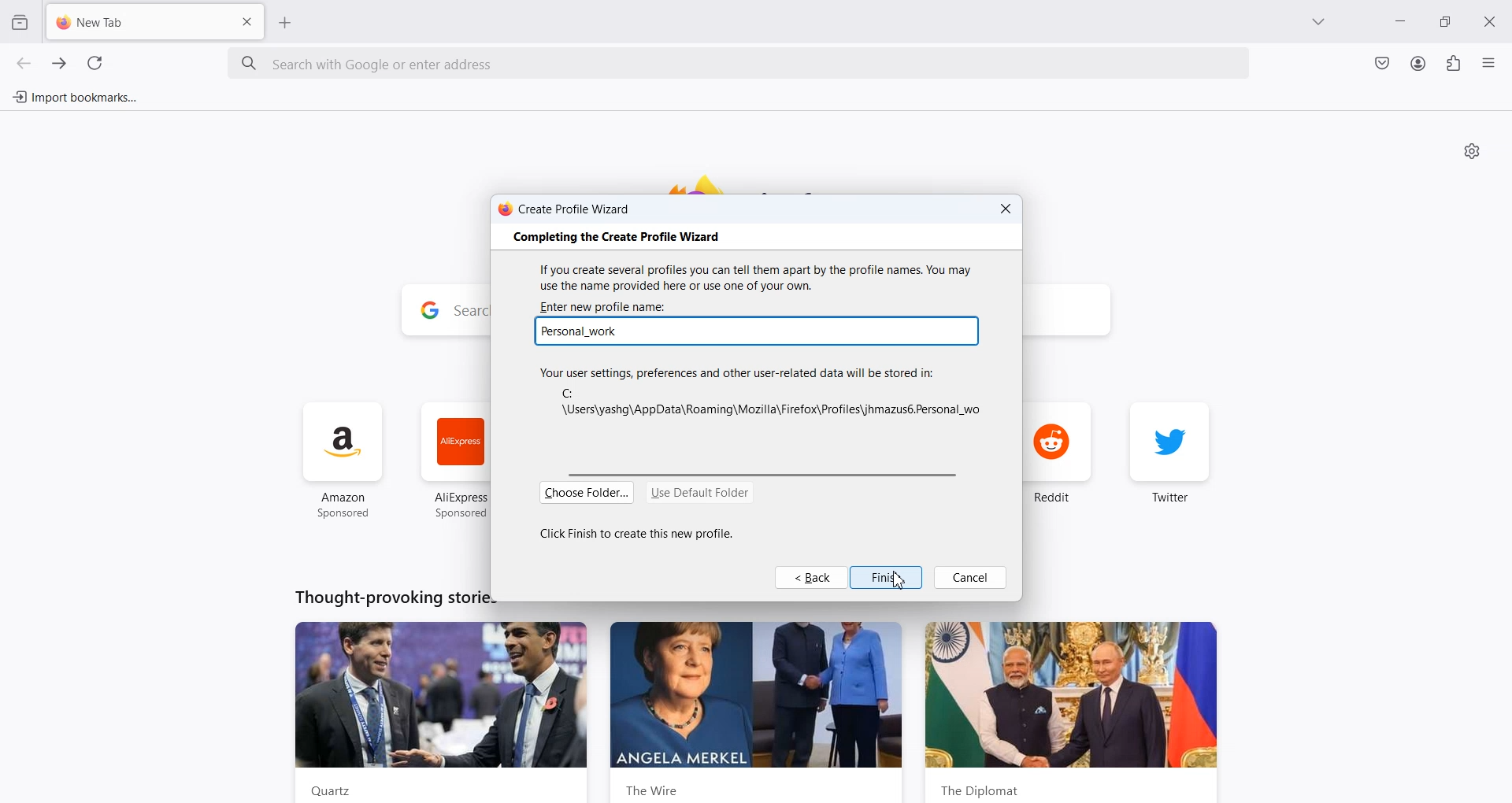 The width and height of the screenshot is (1512, 803). What do you see at coordinates (444, 711) in the screenshot?
I see `Quartz` at bounding box center [444, 711].